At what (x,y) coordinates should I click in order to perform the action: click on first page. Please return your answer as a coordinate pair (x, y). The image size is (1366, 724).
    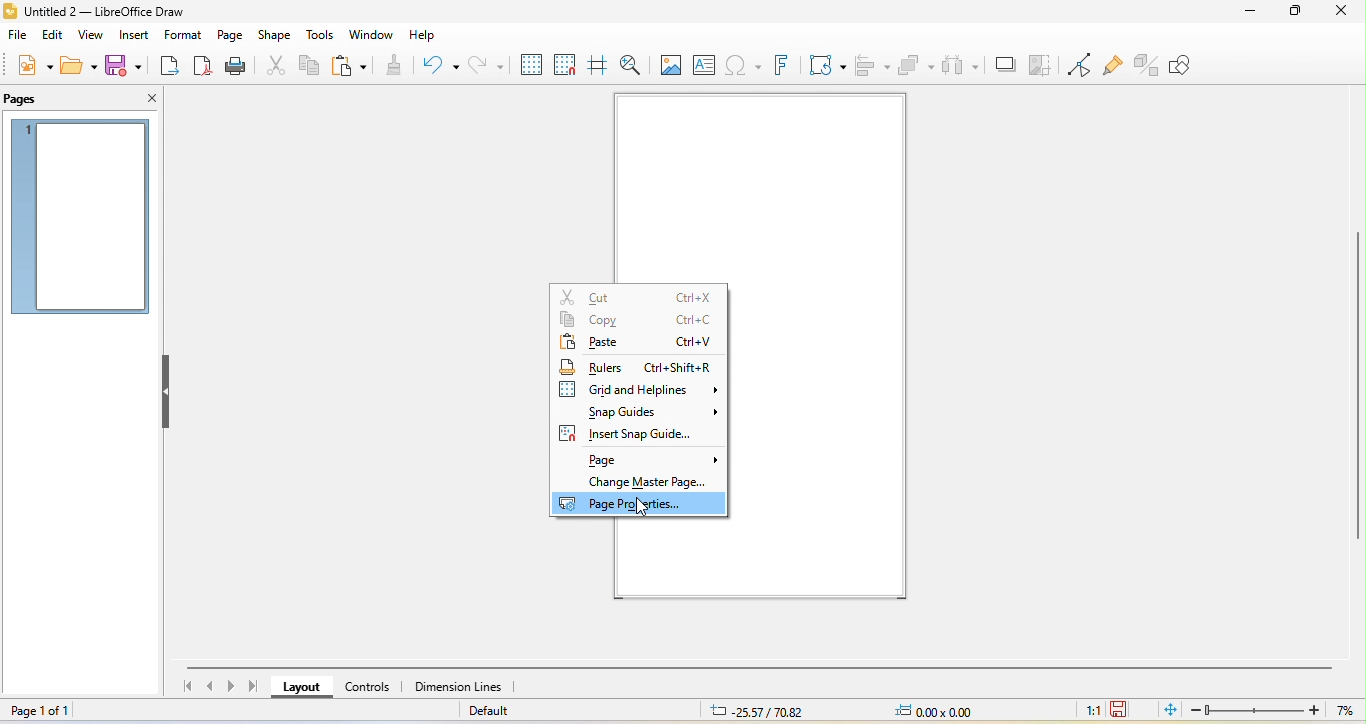
    Looking at the image, I should click on (185, 689).